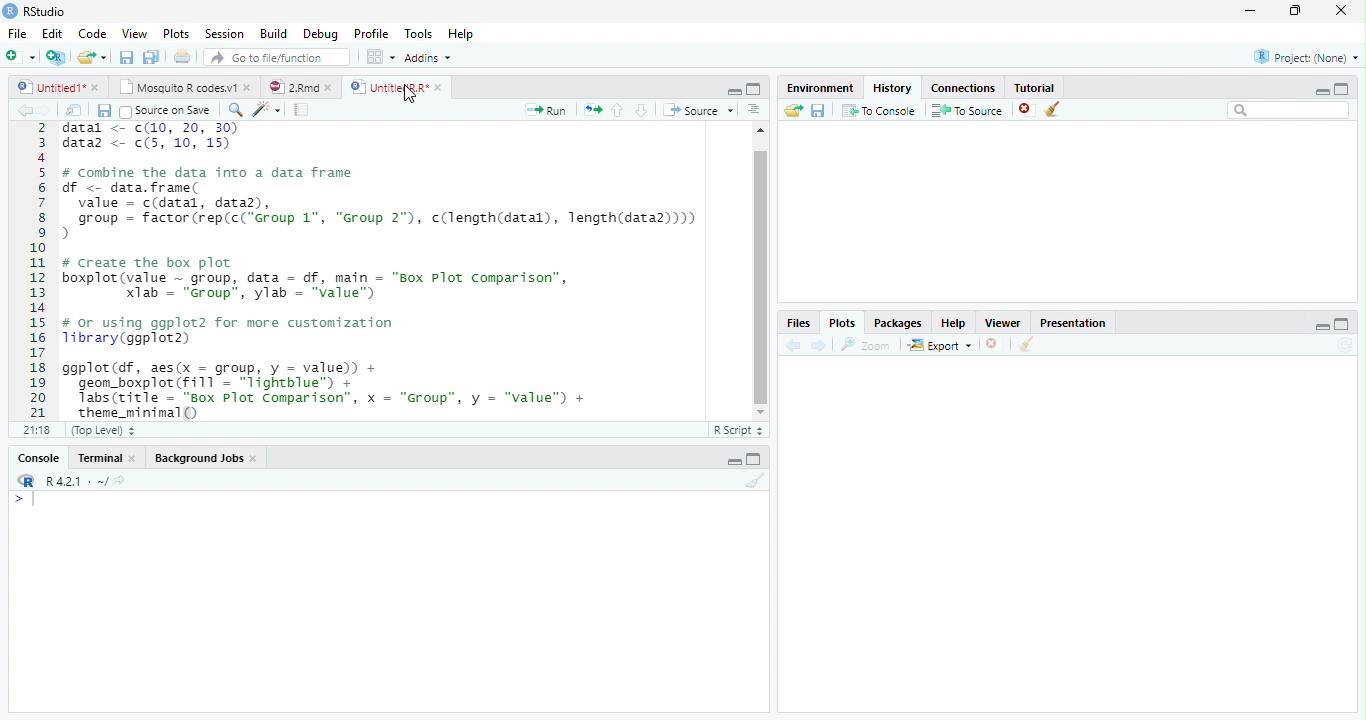  Describe the element at coordinates (174, 33) in the screenshot. I see `Plots` at that location.